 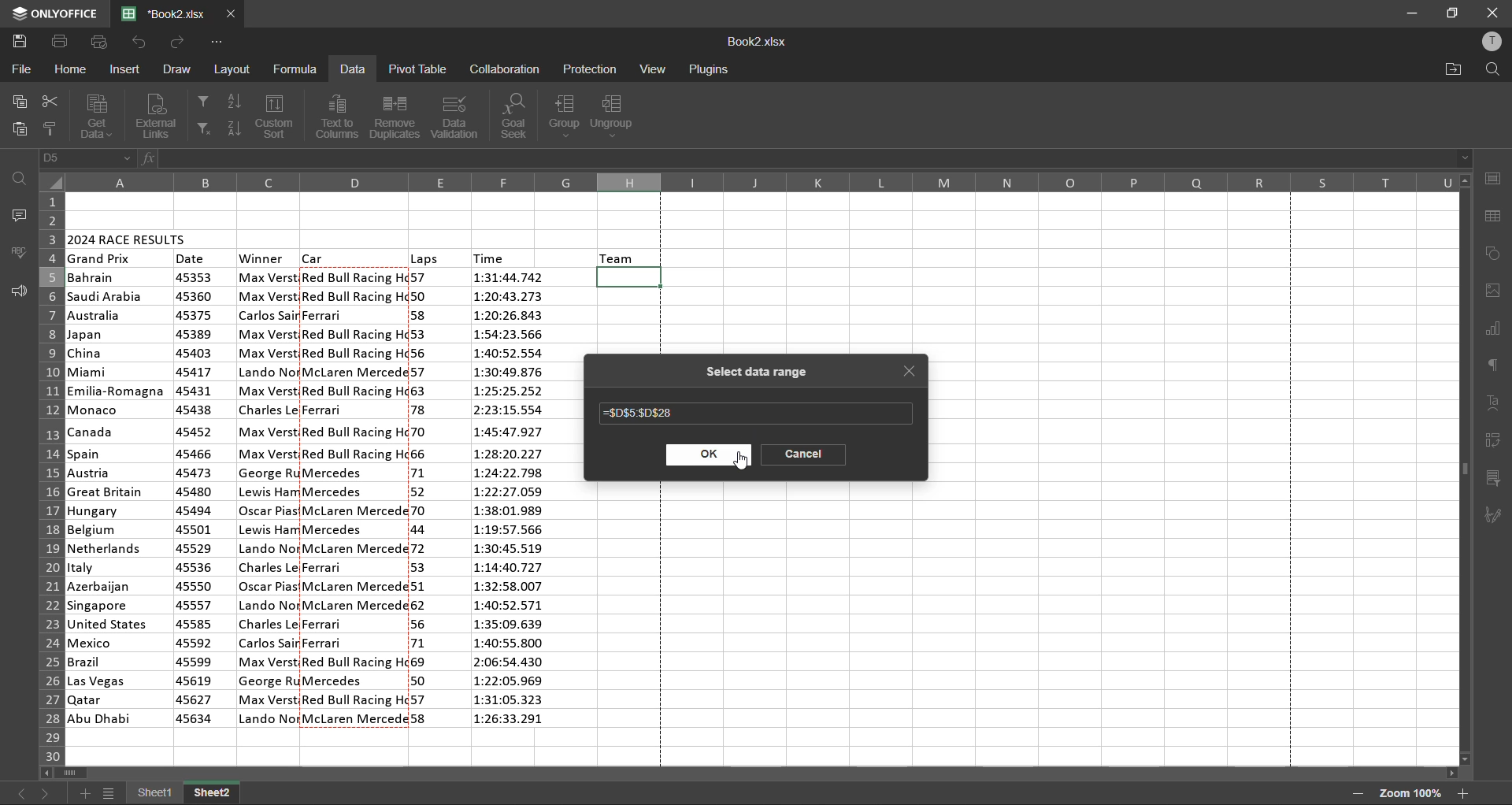 I want to click on column names, so click(x=762, y=182).